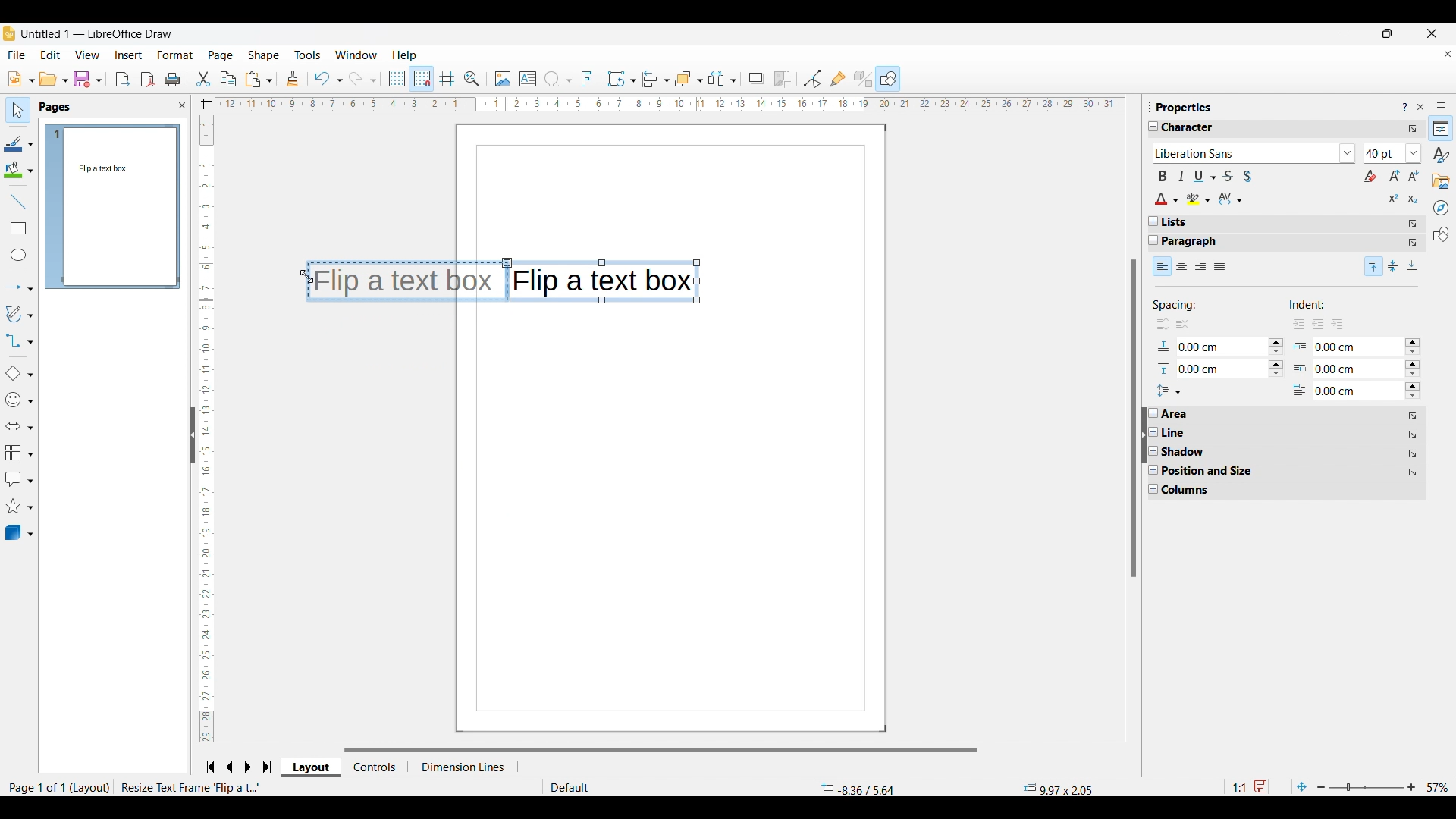 The image size is (1456, 819). Describe the element at coordinates (1414, 175) in the screenshot. I see `Decrease font size` at that location.